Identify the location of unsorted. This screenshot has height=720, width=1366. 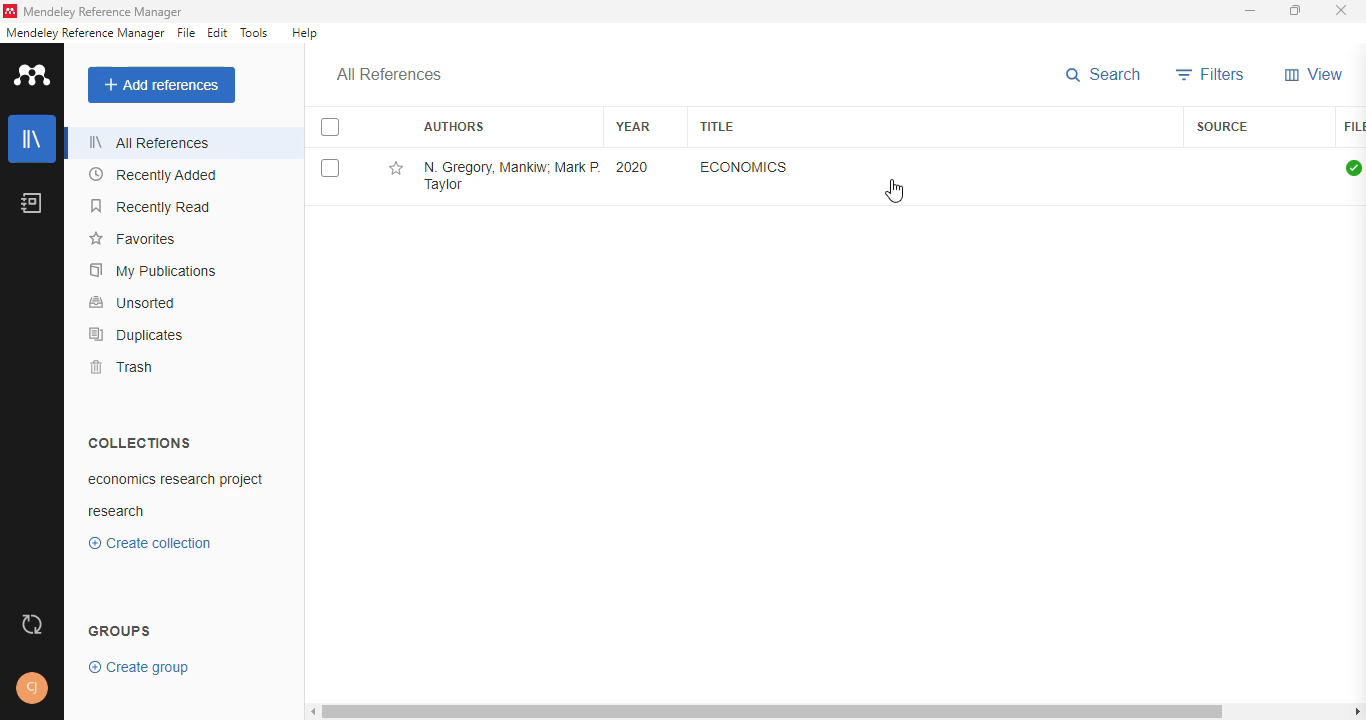
(132, 303).